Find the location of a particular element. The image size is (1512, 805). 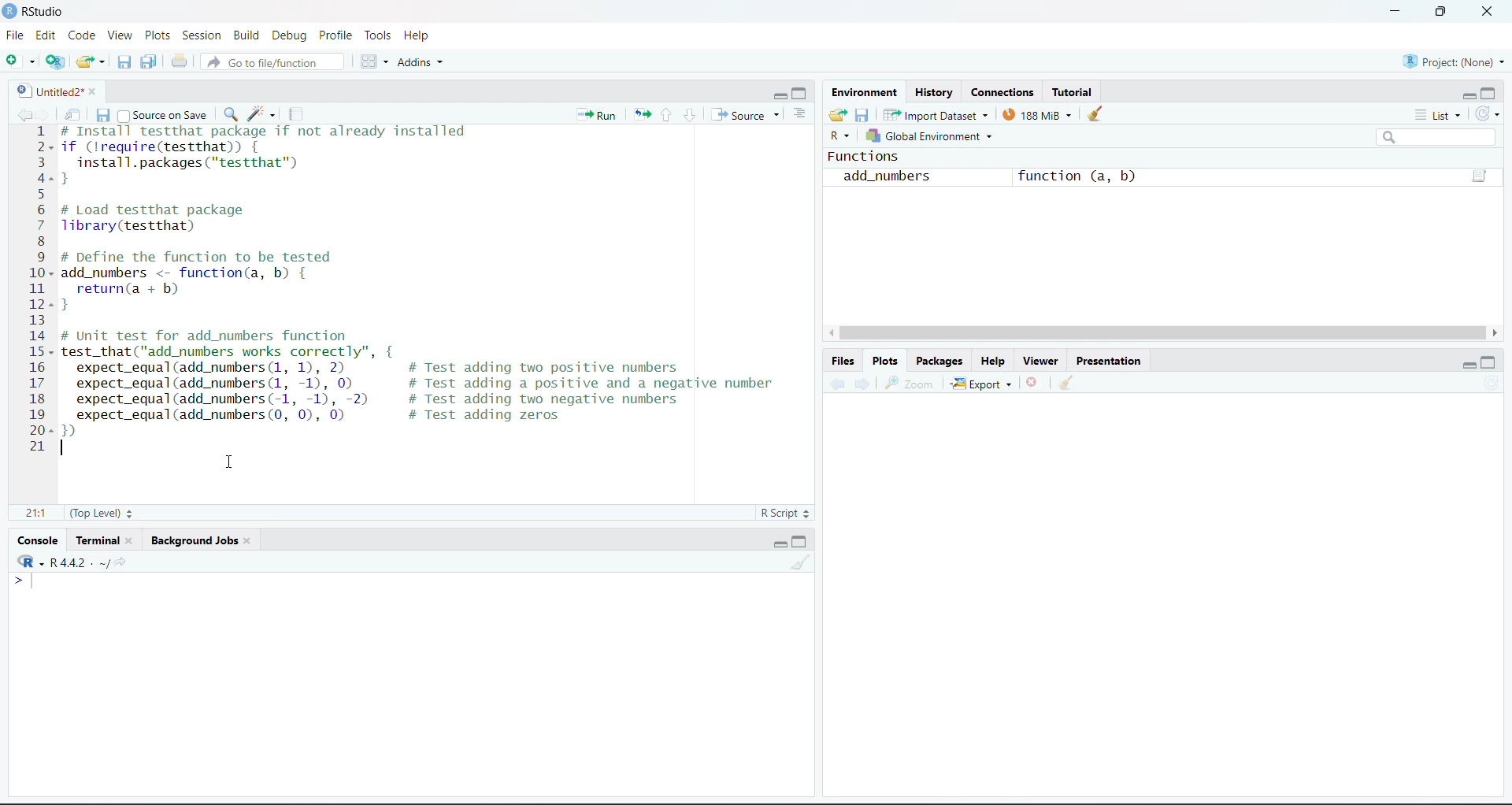

Terminal is located at coordinates (99, 540).